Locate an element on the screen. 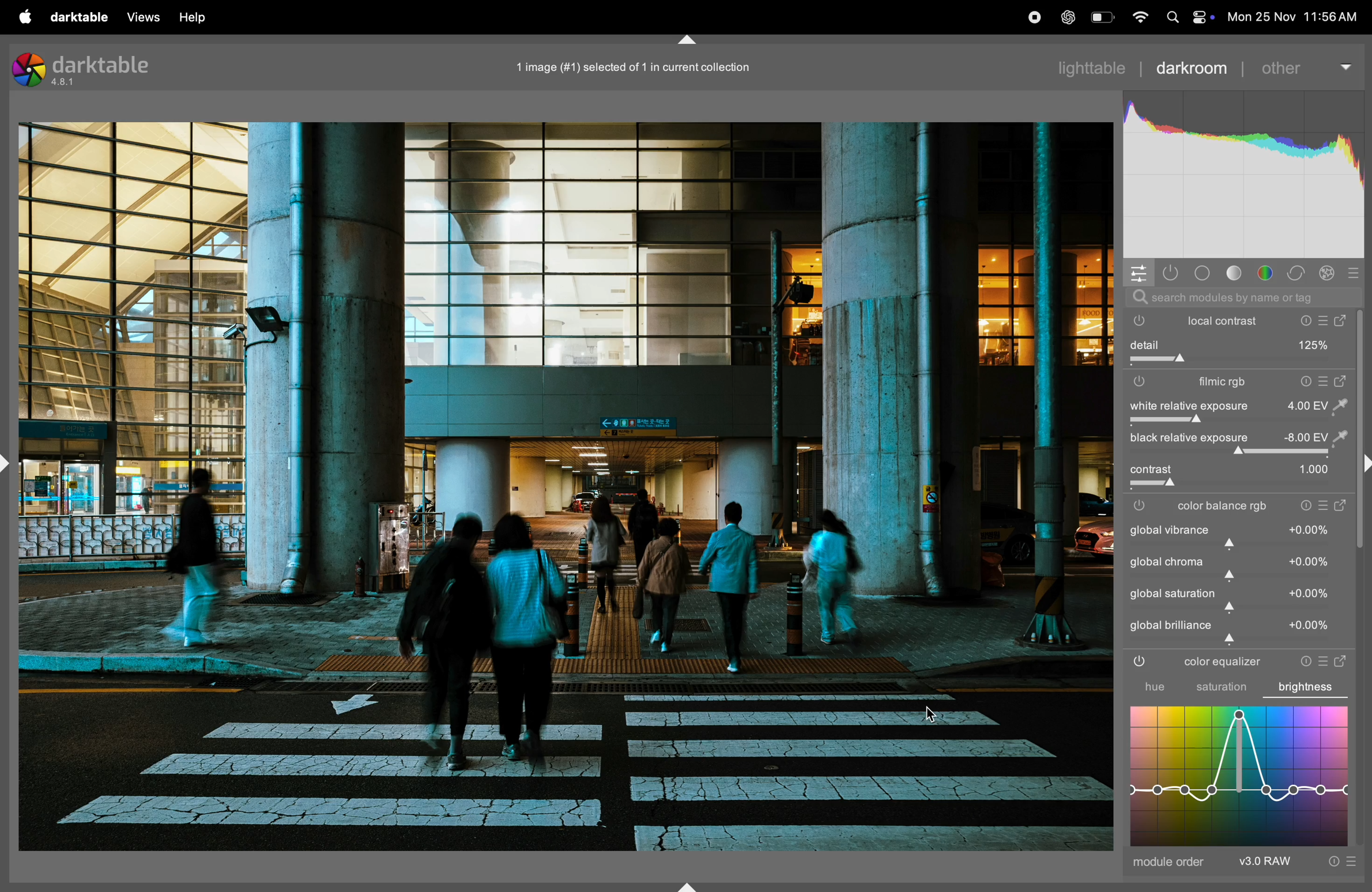 This screenshot has width=1372, height=892. slider is located at coordinates (1242, 544).